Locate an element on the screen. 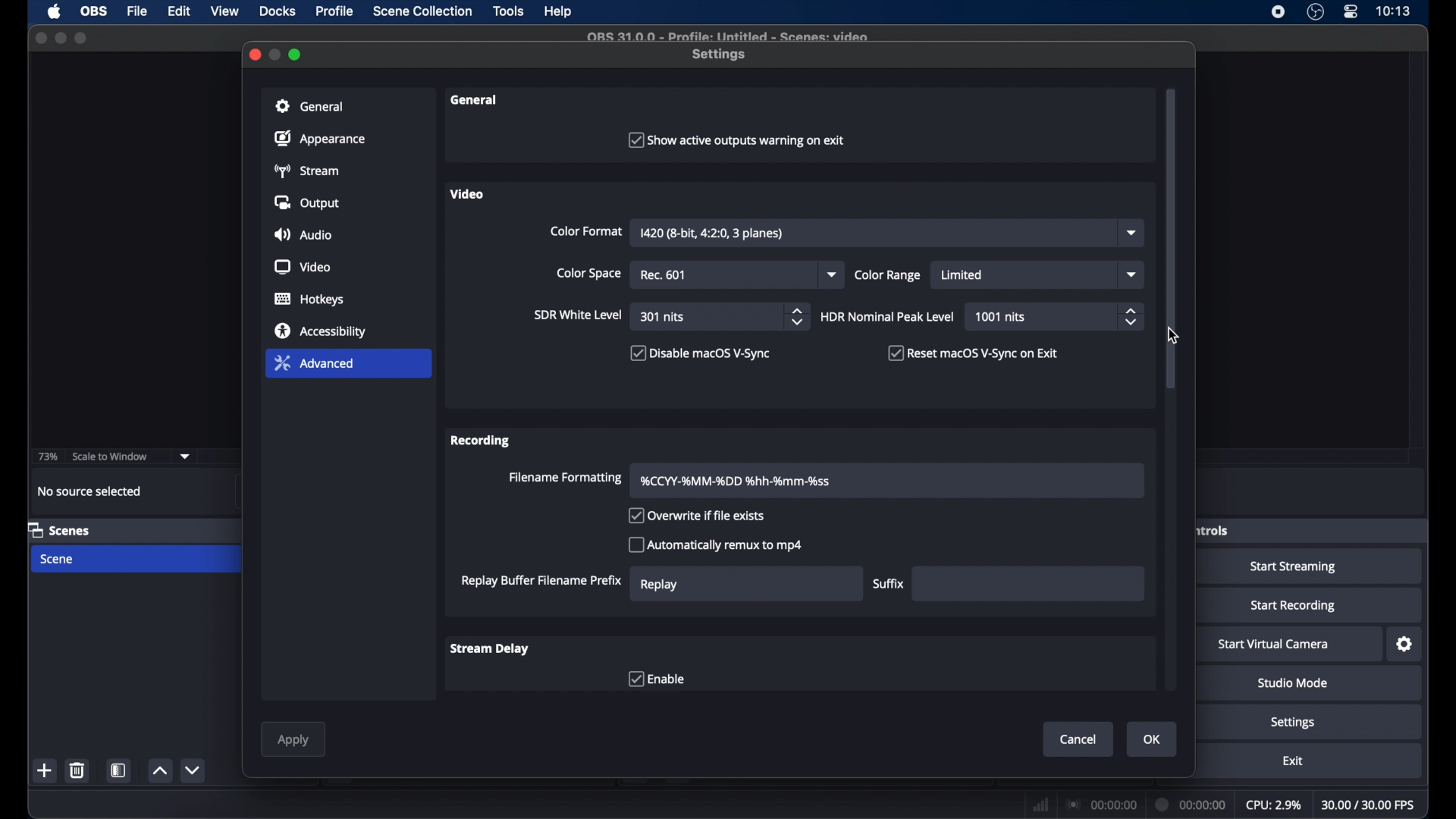 The width and height of the screenshot is (1456, 819). scene collection is located at coordinates (424, 11).